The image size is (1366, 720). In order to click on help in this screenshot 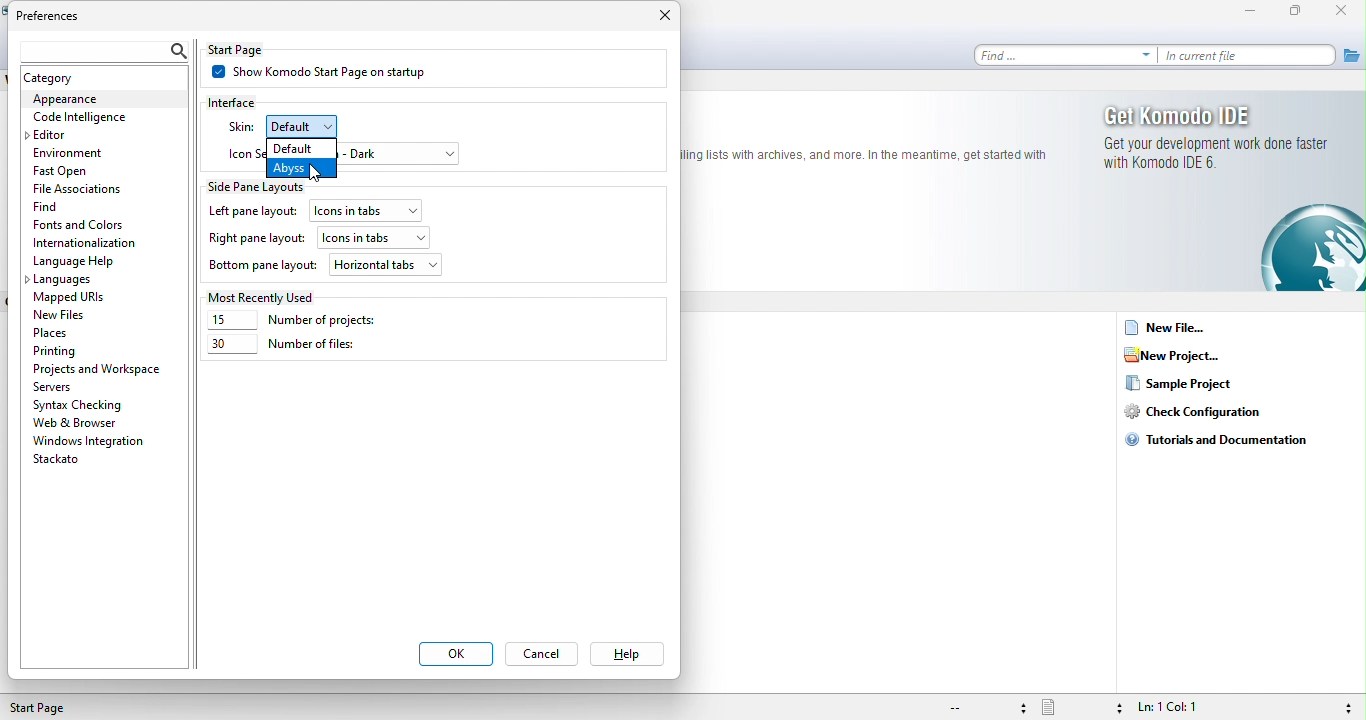, I will do `click(625, 655)`.